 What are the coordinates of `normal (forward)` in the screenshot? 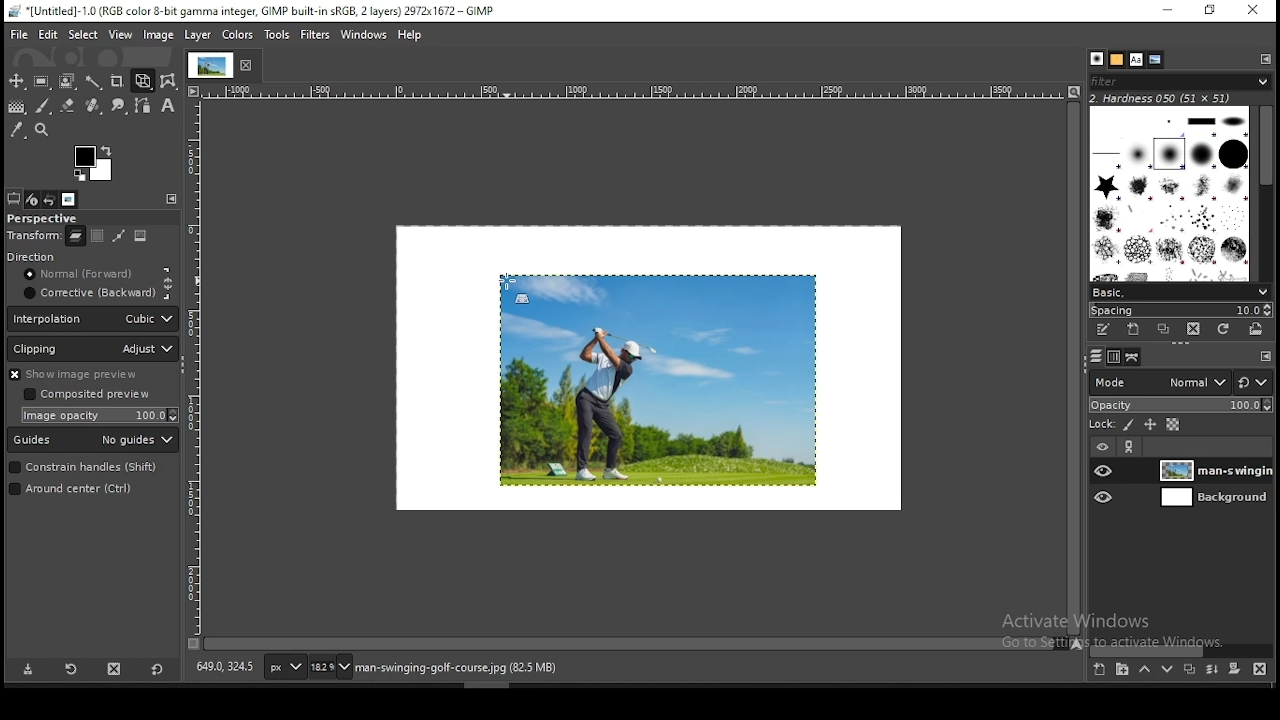 It's located at (87, 277).